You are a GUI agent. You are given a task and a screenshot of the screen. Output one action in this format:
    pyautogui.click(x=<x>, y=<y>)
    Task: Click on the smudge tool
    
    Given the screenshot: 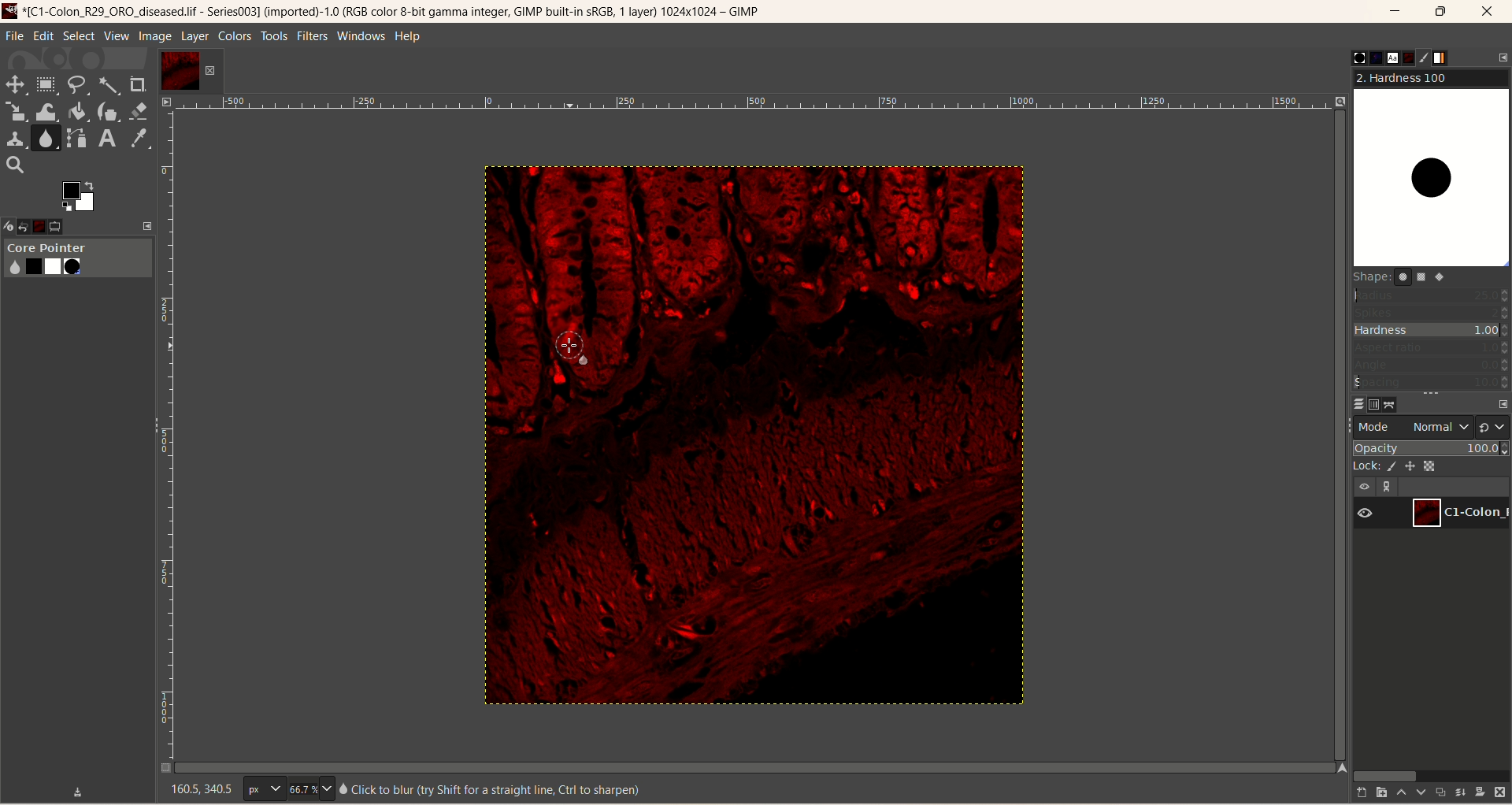 What is the action you would take?
    pyautogui.click(x=47, y=138)
    